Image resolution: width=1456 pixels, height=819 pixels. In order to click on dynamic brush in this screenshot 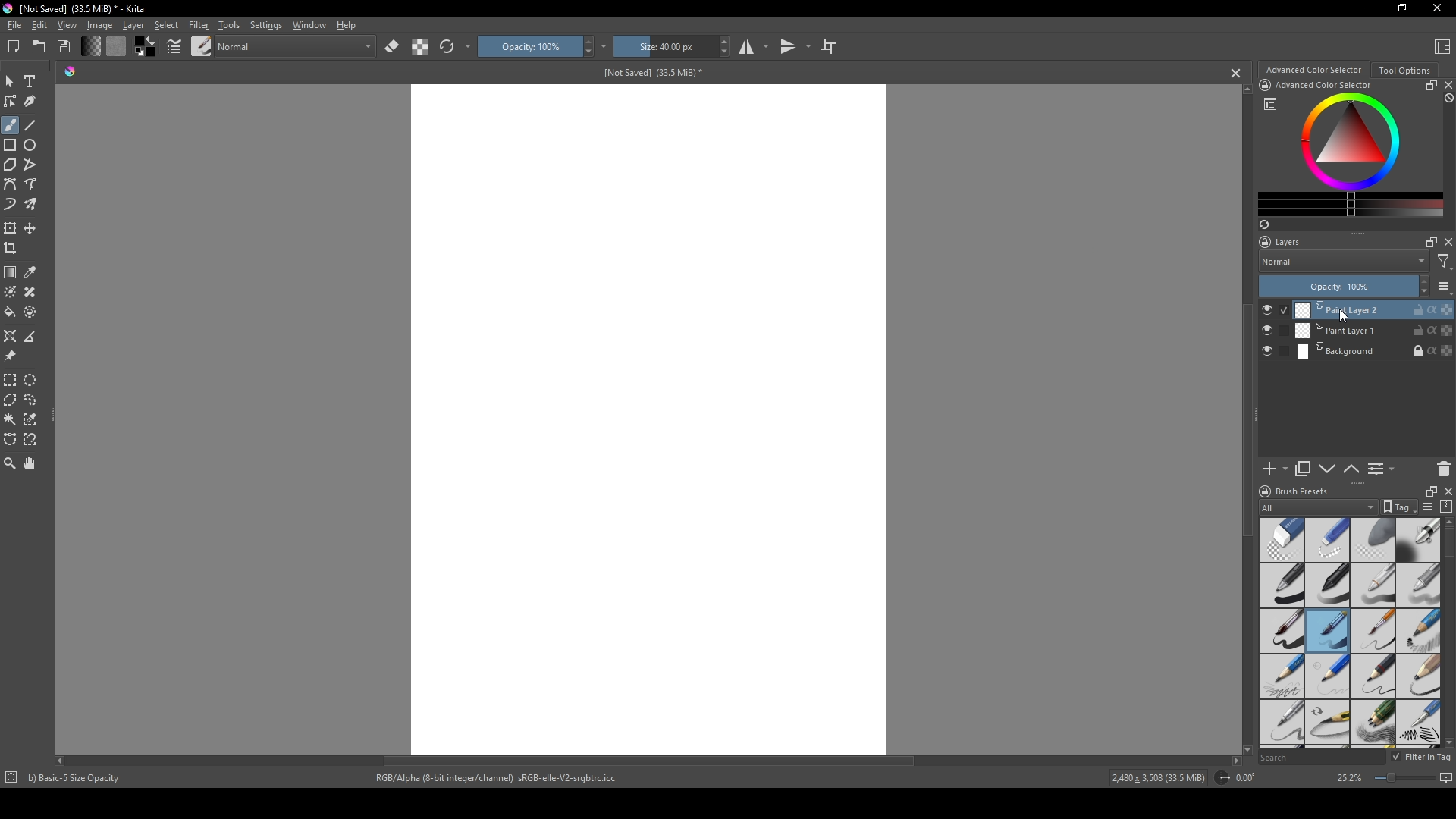, I will do `click(11, 206)`.